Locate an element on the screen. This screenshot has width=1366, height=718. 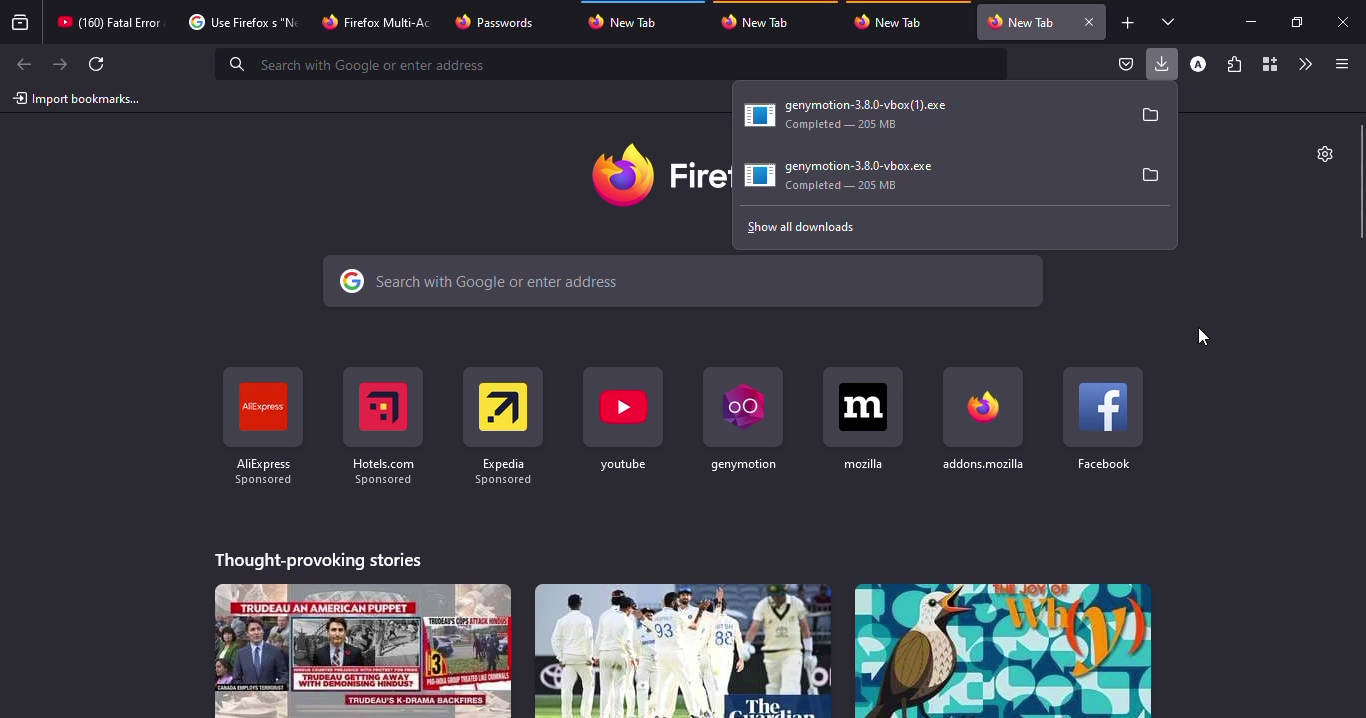
folder is located at coordinates (1152, 174).